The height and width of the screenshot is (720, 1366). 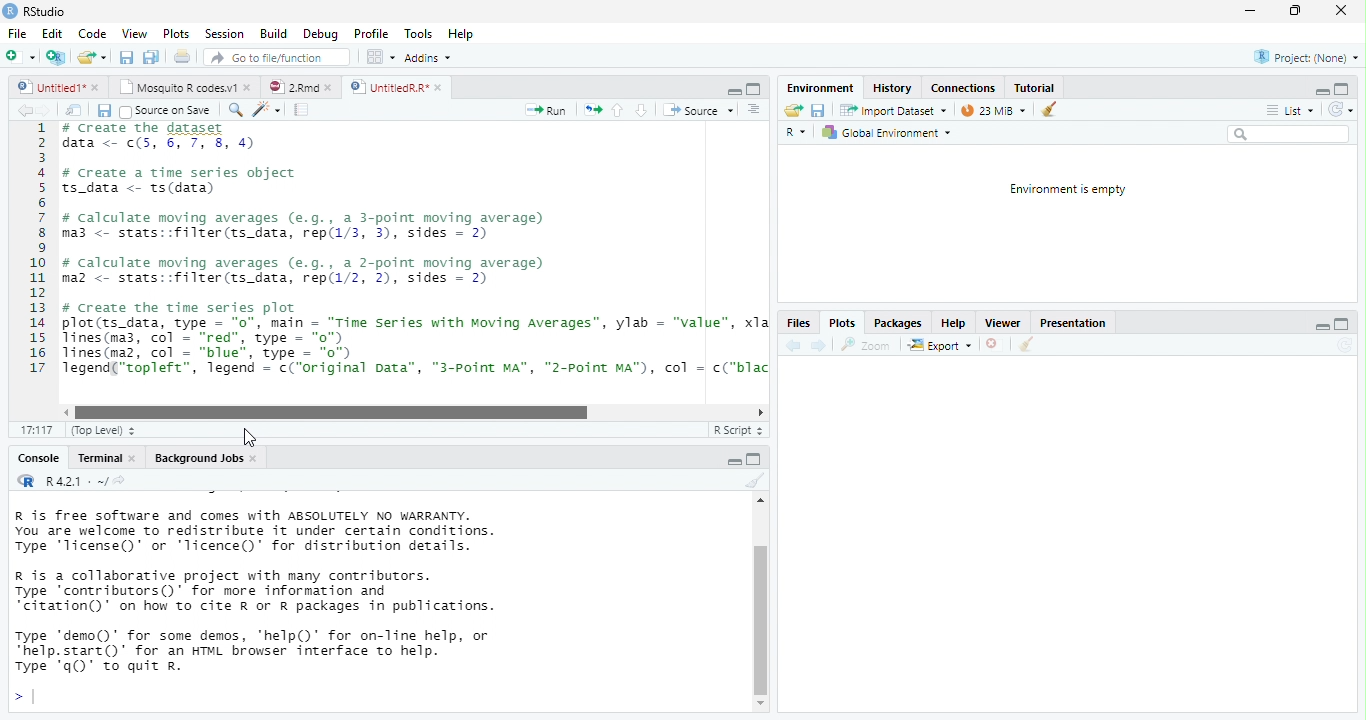 I want to click on Console, so click(x=37, y=459).